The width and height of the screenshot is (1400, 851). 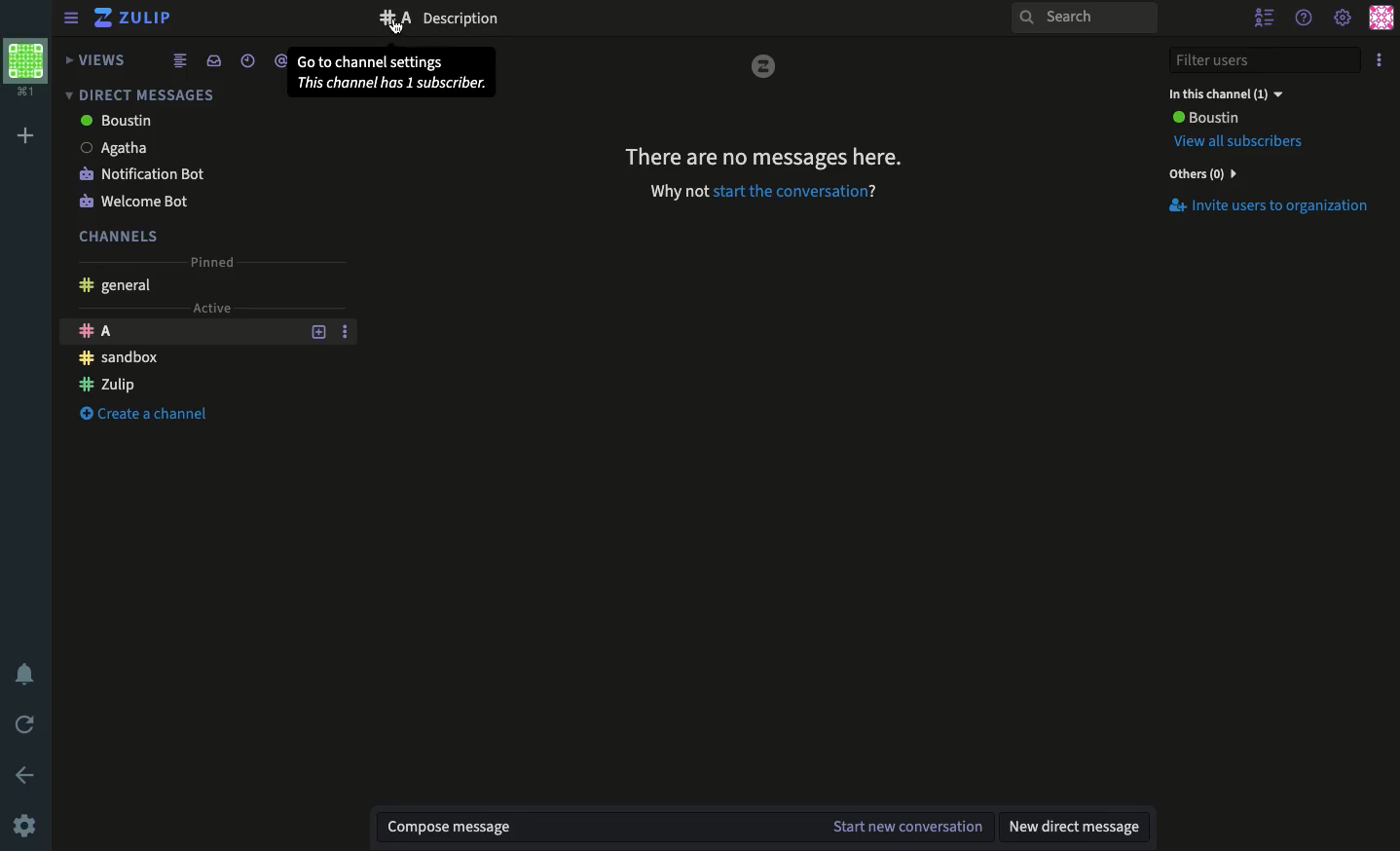 I want to click on Pinned, so click(x=211, y=263).